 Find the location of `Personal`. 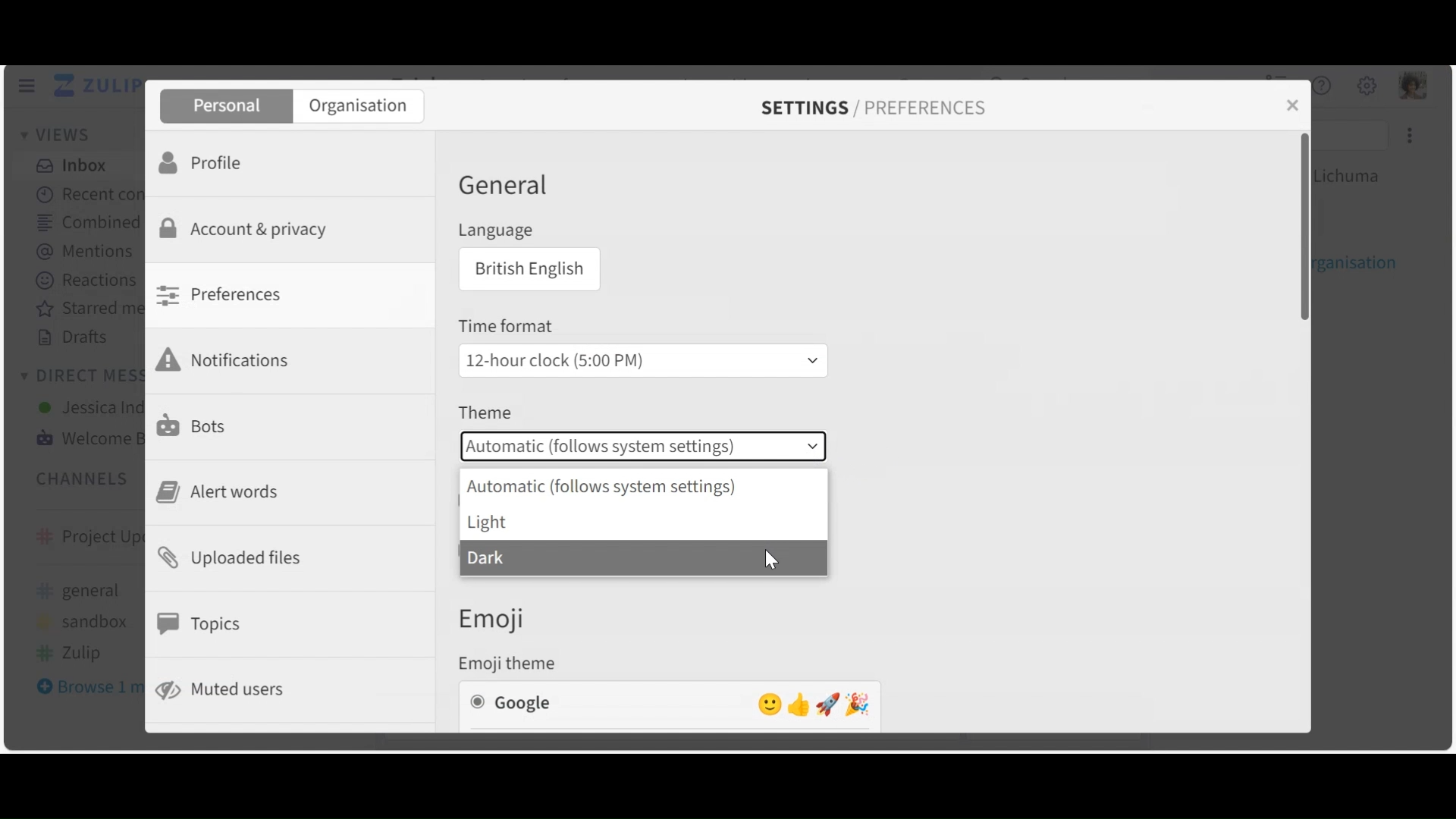

Personal is located at coordinates (226, 107).